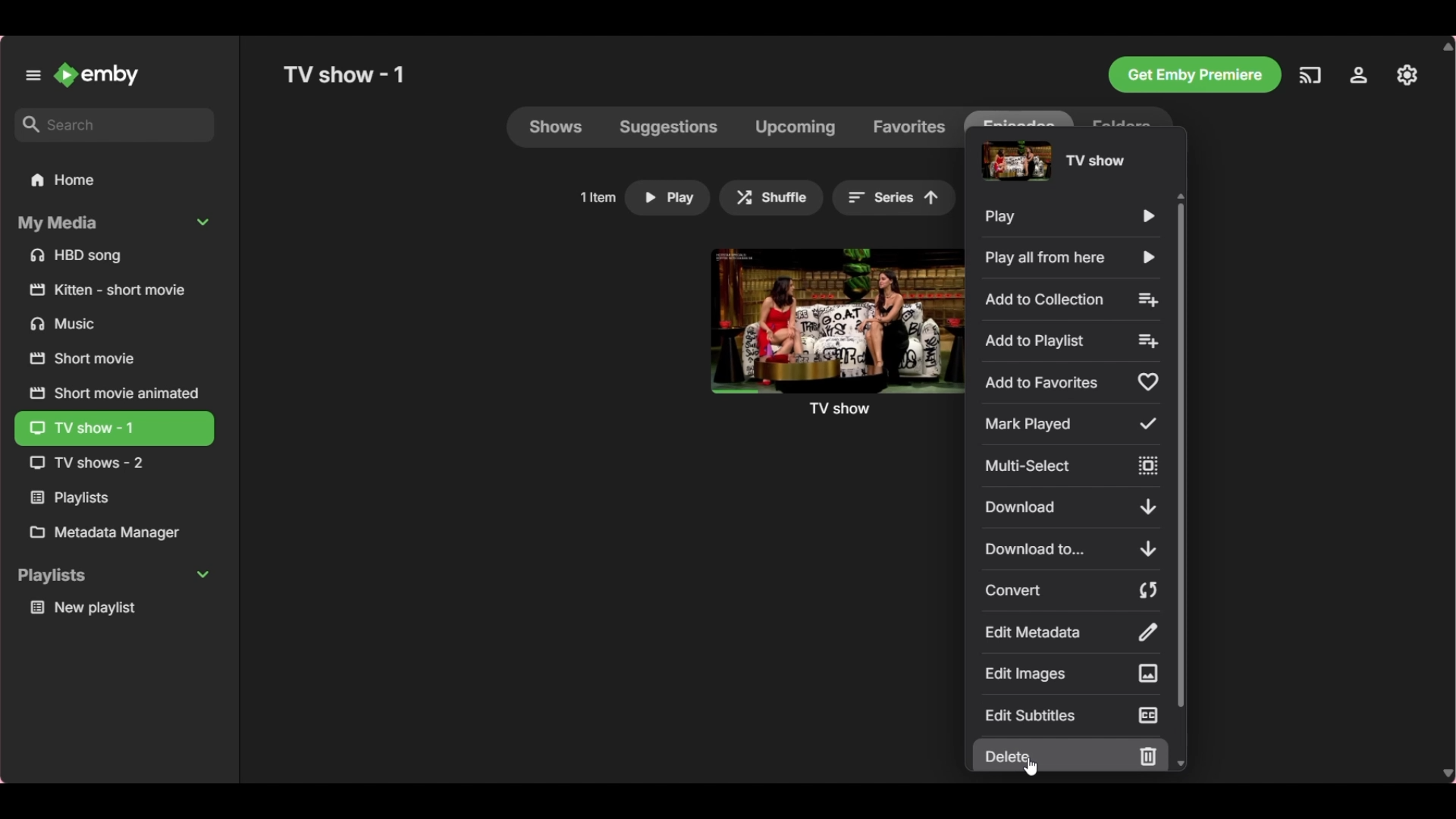  Describe the element at coordinates (598, 197) in the screenshot. I see `Total number of items in current selection` at that location.